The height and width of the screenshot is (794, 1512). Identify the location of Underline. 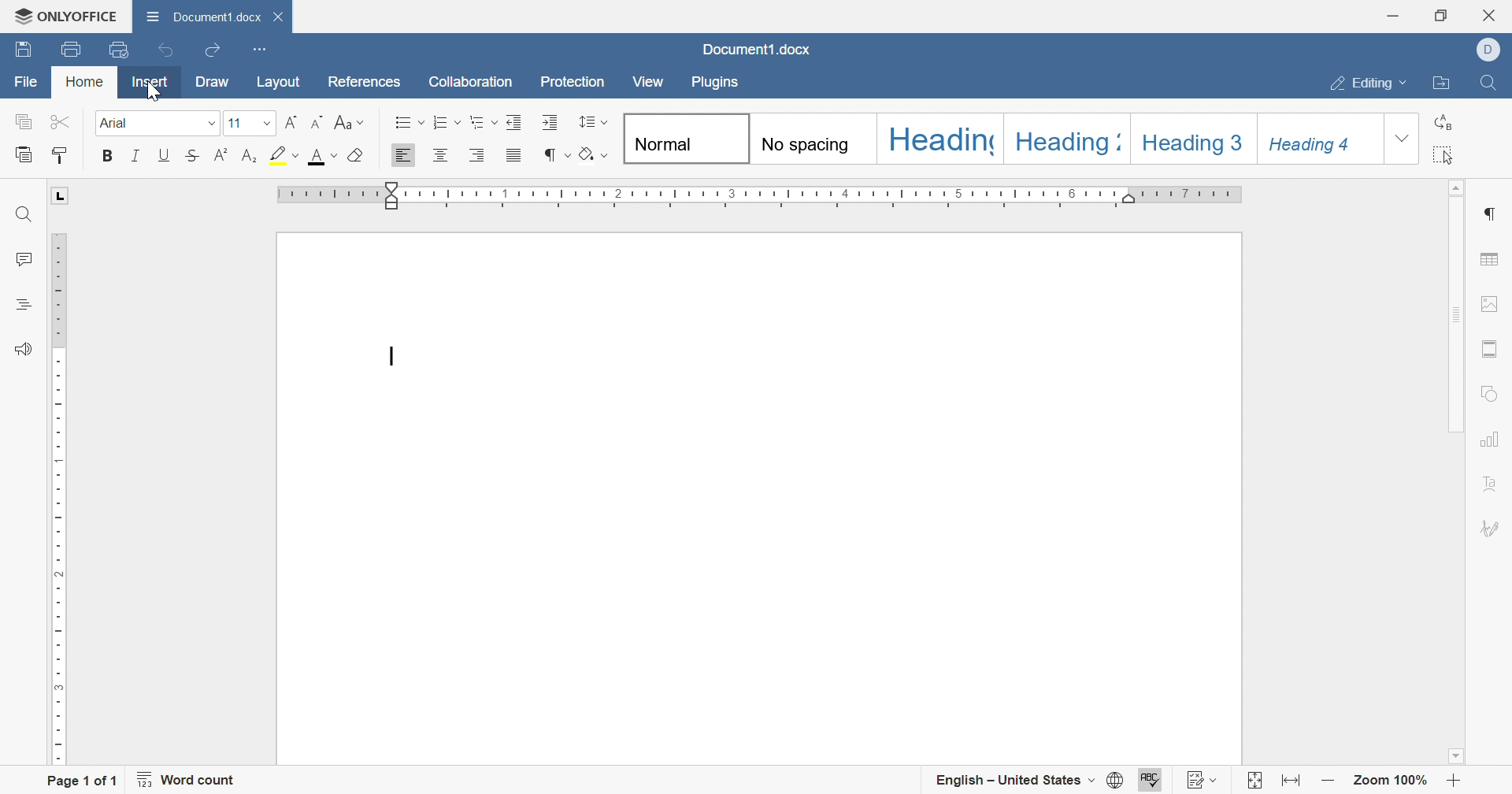
(163, 155).